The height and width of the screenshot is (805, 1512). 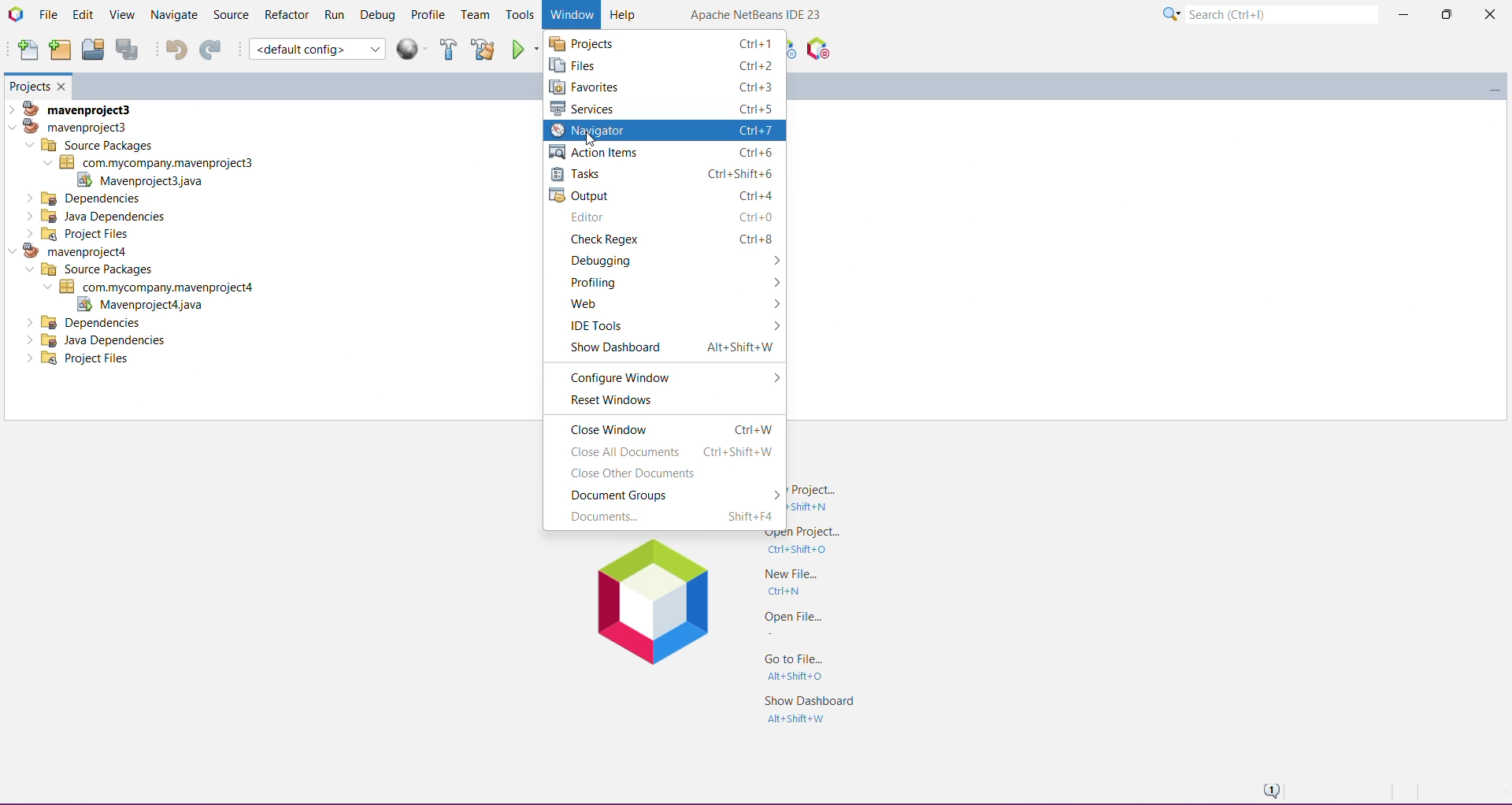 I want to click on Mavenproject4.java, so click(x=138, y=305).